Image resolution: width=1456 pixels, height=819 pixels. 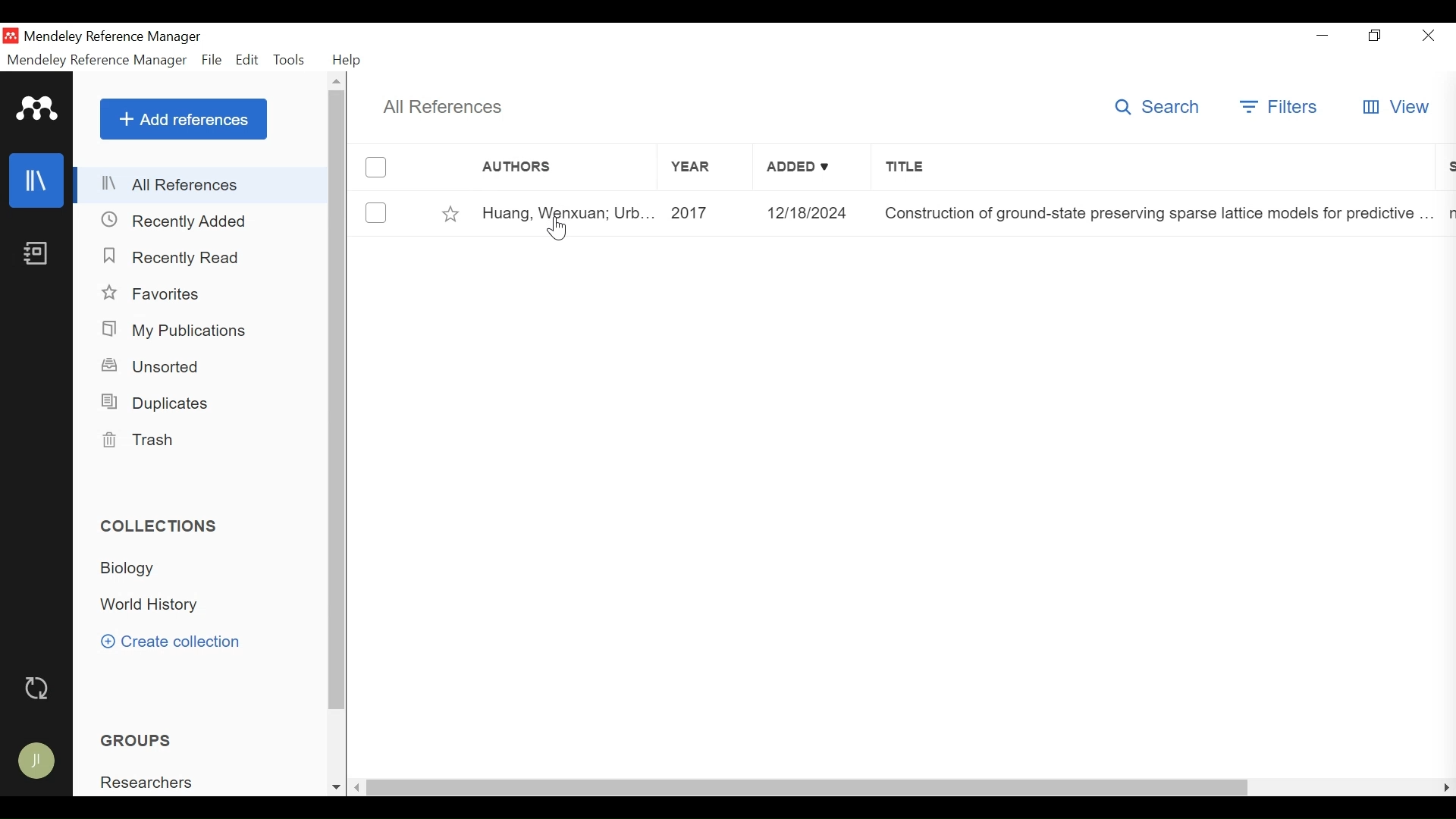 What do you see at coordinates (37, 689) in the screenshot?
I see `Sync` at bounding box center [37, 689].